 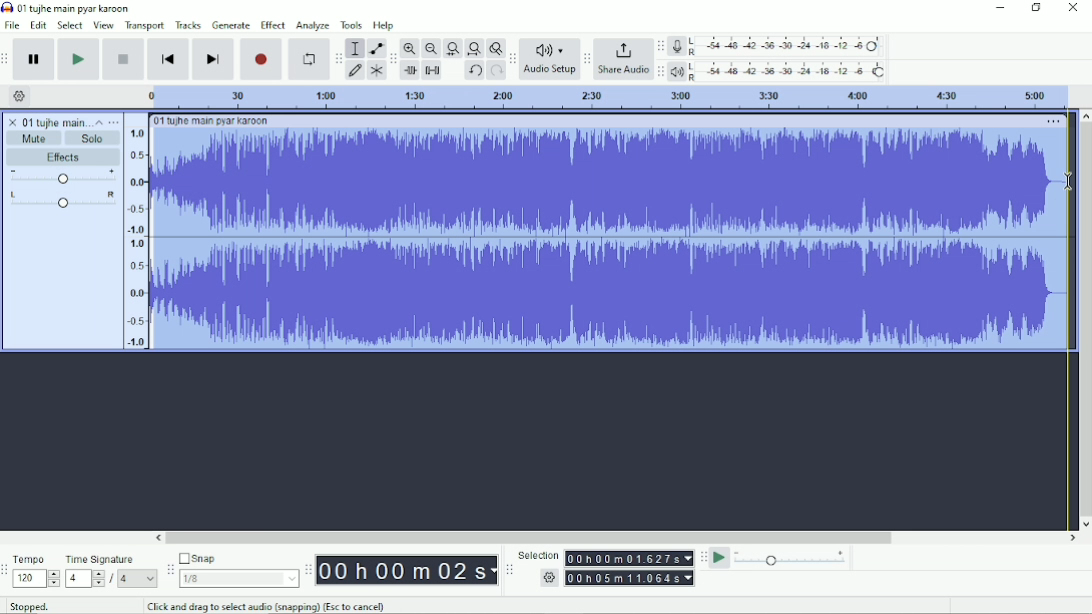 What do you see at coordinates (63, 200) in the screenshot?
I see `Pan` at bounding box center [63, 200].